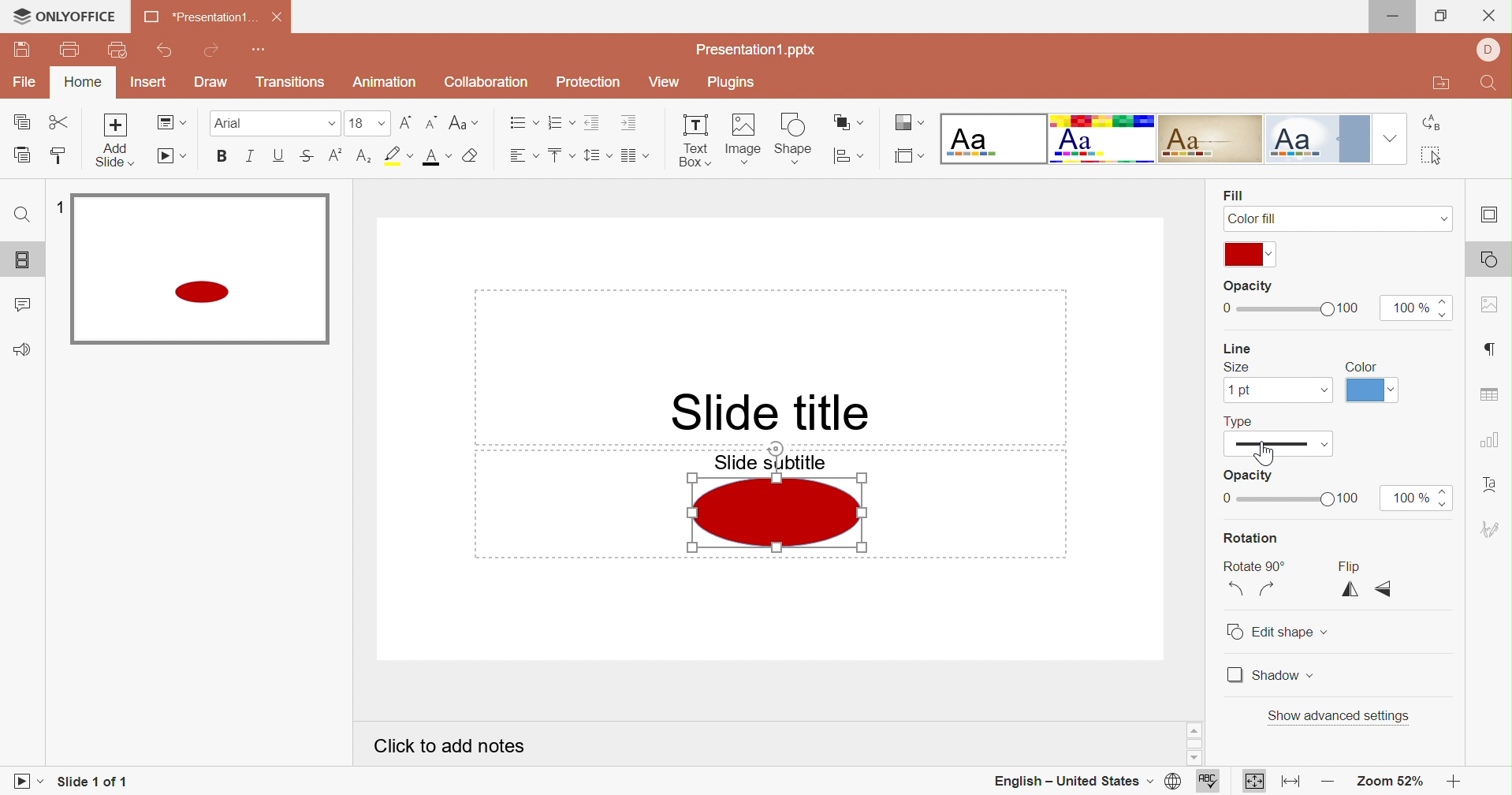 This screenshot has width=1512, height=795. What do you see at coordinates (214, 52) in the screenshot?
I see `Redo` at bounding box center [214, 52].